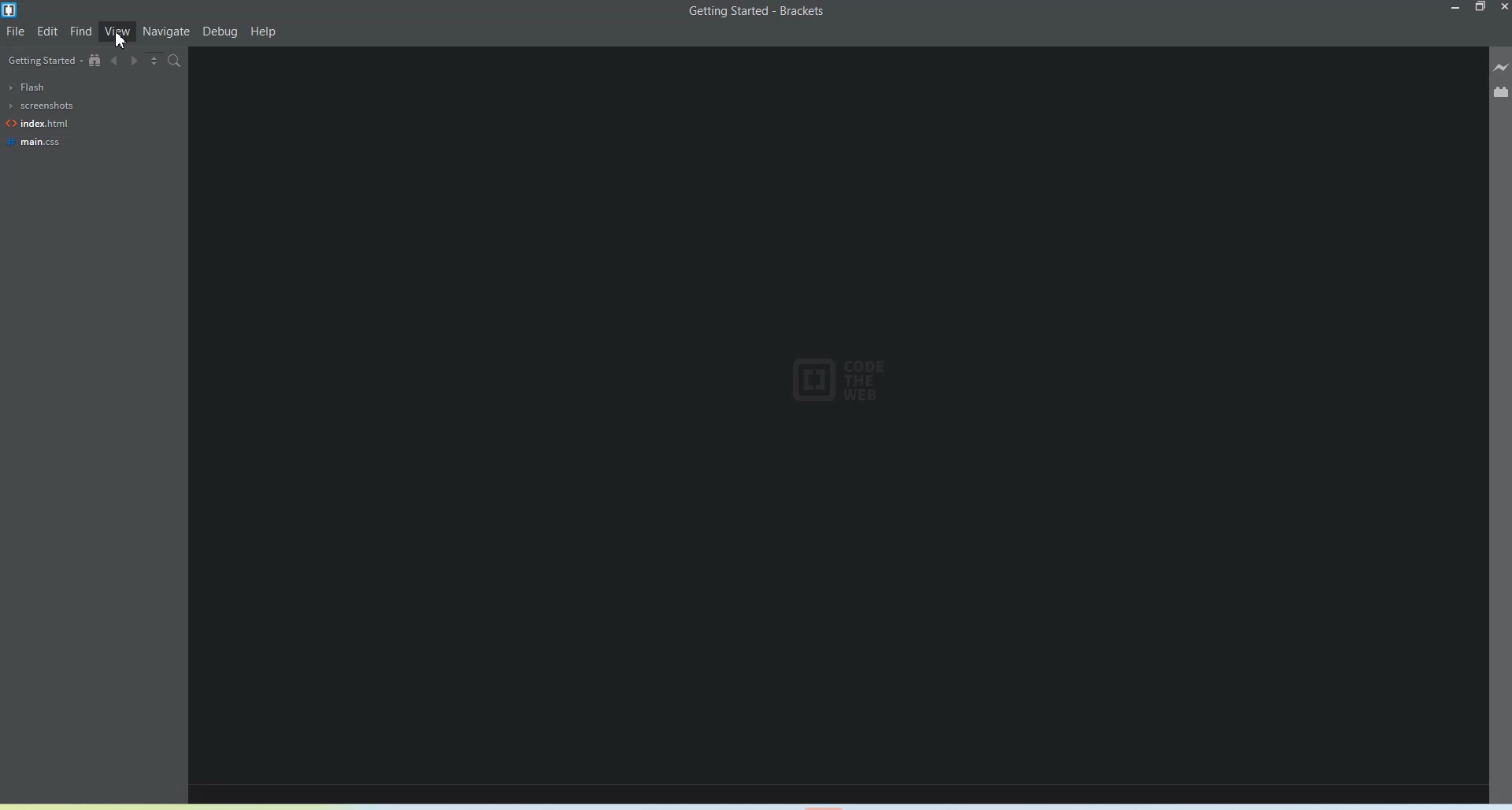 Image resolution: width=1512 pixels, height=810 pixels. Describe the element at coordinates (36, 142) in the screenshot. I see `main.css` at that location.